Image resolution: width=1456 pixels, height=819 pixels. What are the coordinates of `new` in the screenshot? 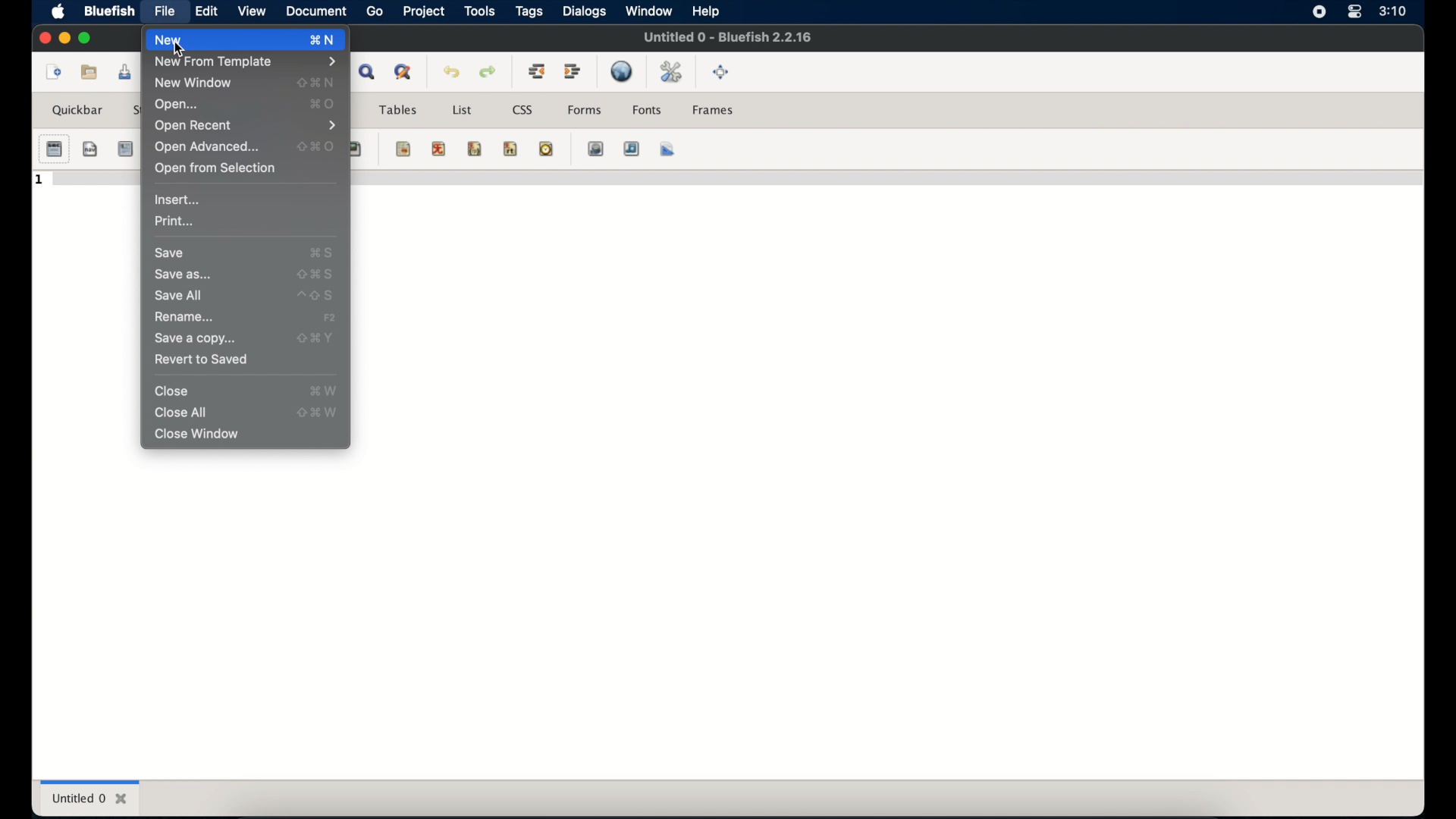 It's located at (52, 72).